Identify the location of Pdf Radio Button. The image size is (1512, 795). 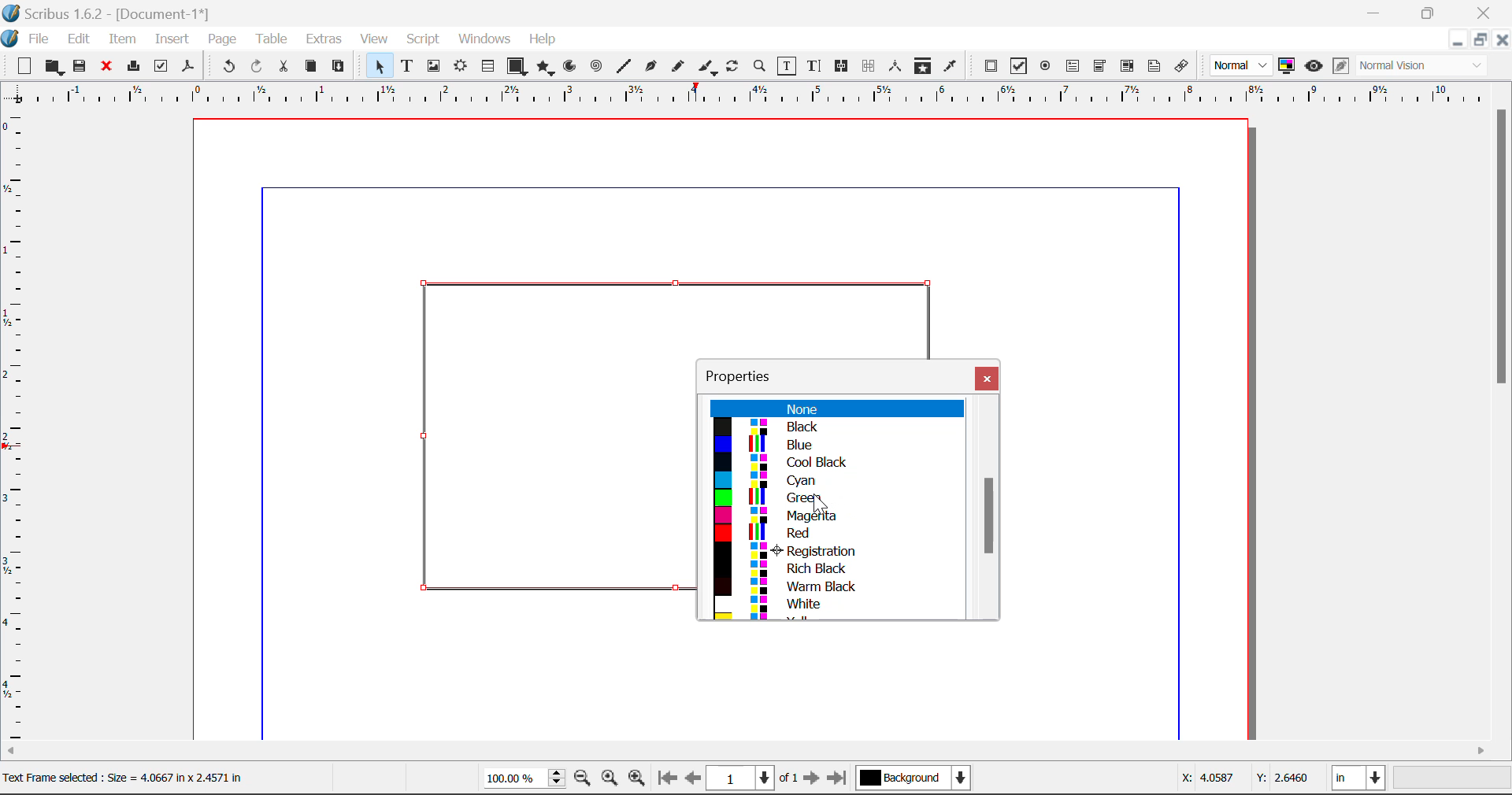
(1045, 67).